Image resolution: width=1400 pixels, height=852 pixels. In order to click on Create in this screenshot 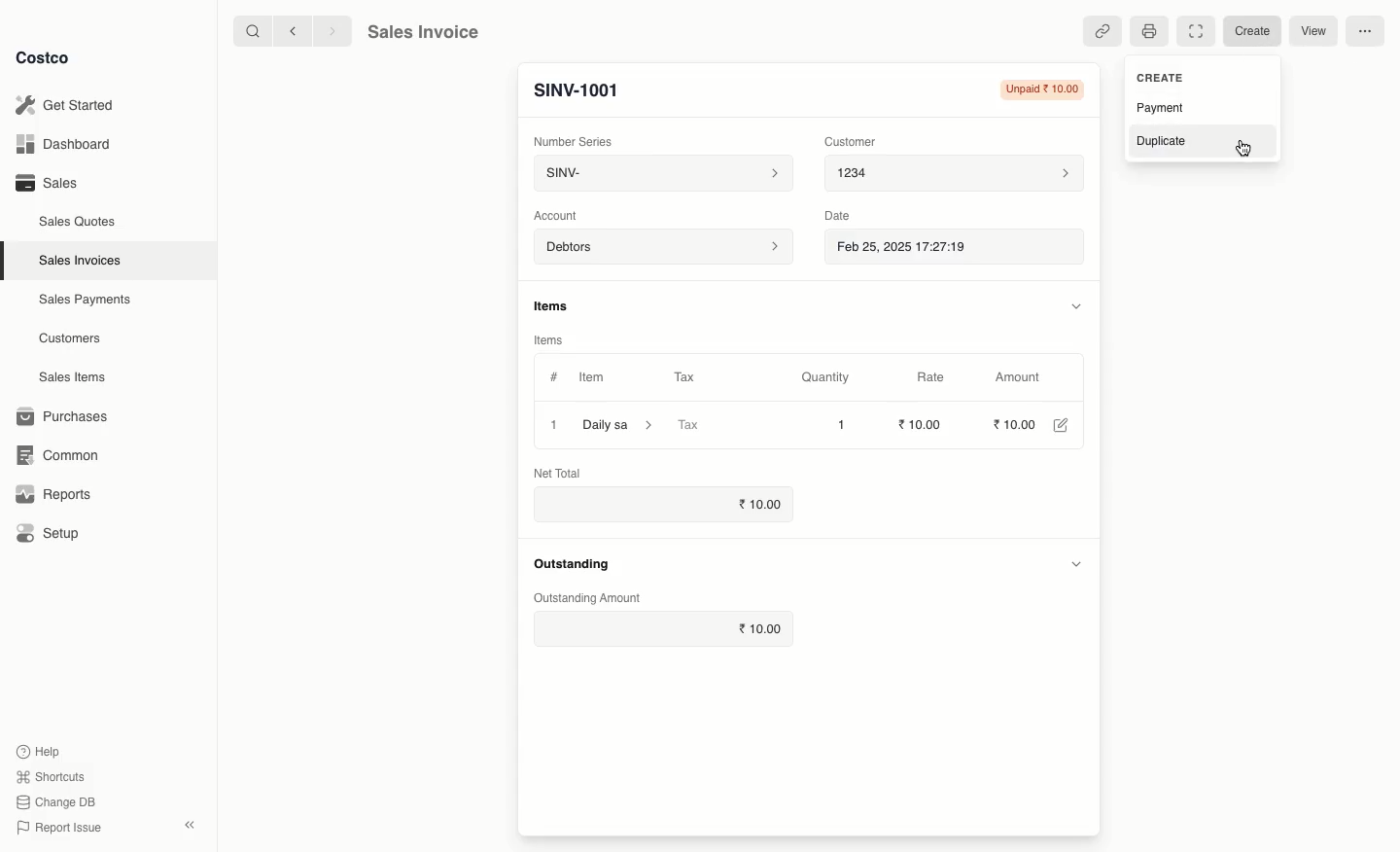, I will do `click(1250, 30)`.